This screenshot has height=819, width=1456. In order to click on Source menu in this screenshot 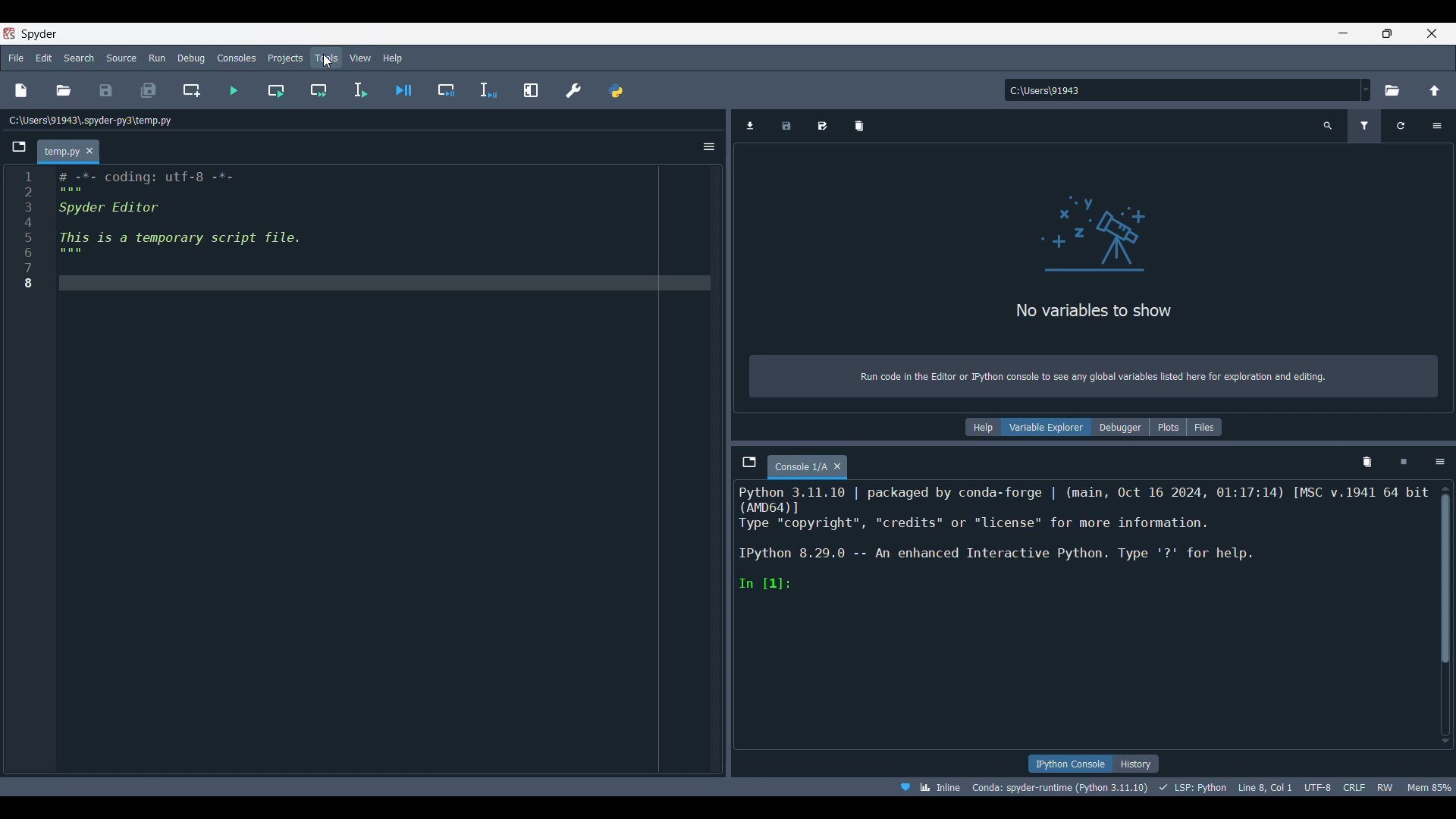, I will do `click(121, 58)`.